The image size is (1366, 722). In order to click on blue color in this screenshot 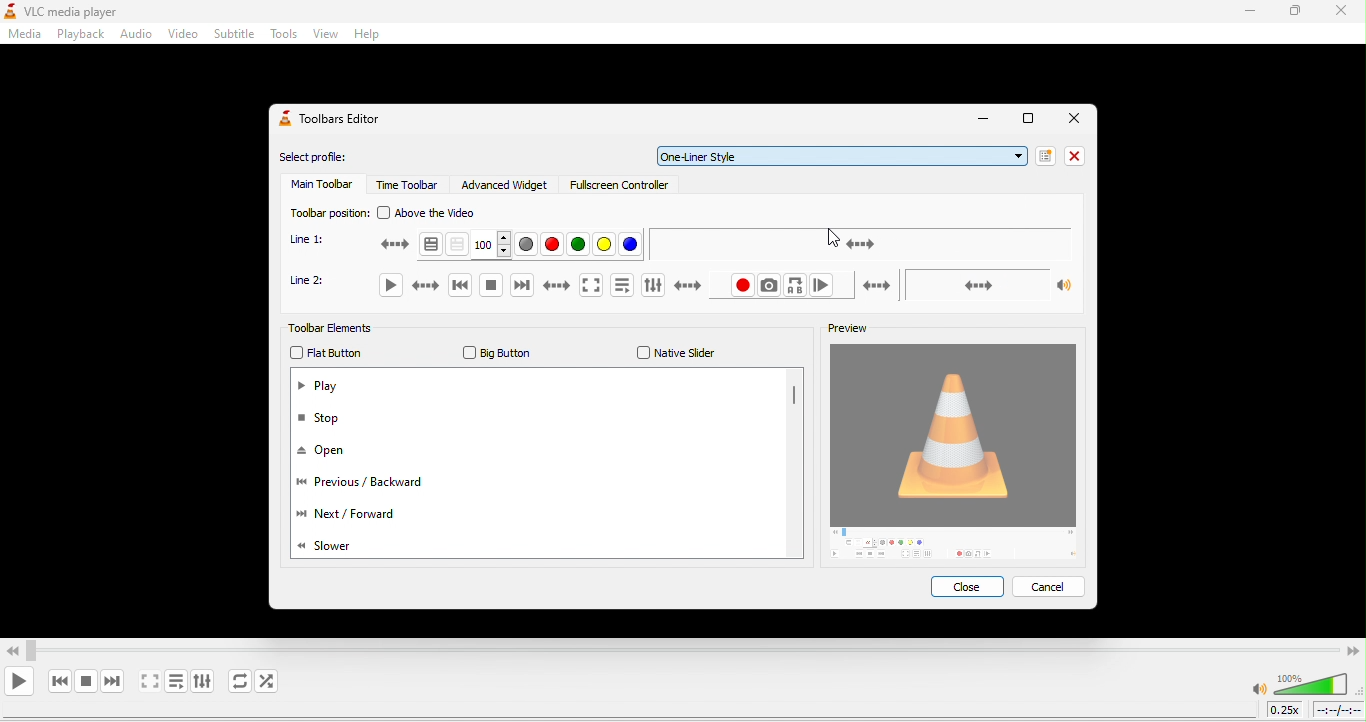, I will do `click(629, 245)`.